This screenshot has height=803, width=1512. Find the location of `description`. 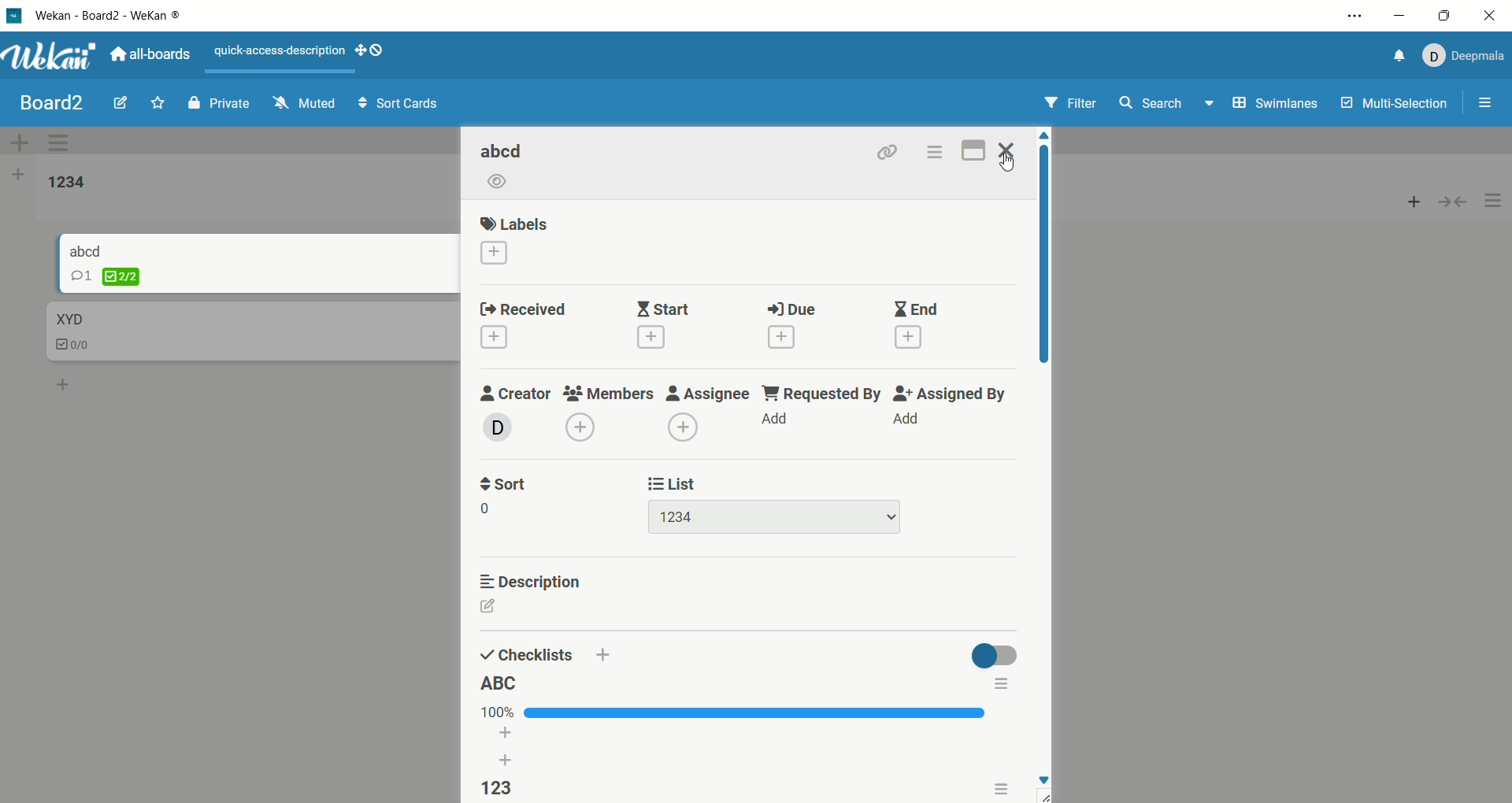

description is located at coordinates (539, 578).